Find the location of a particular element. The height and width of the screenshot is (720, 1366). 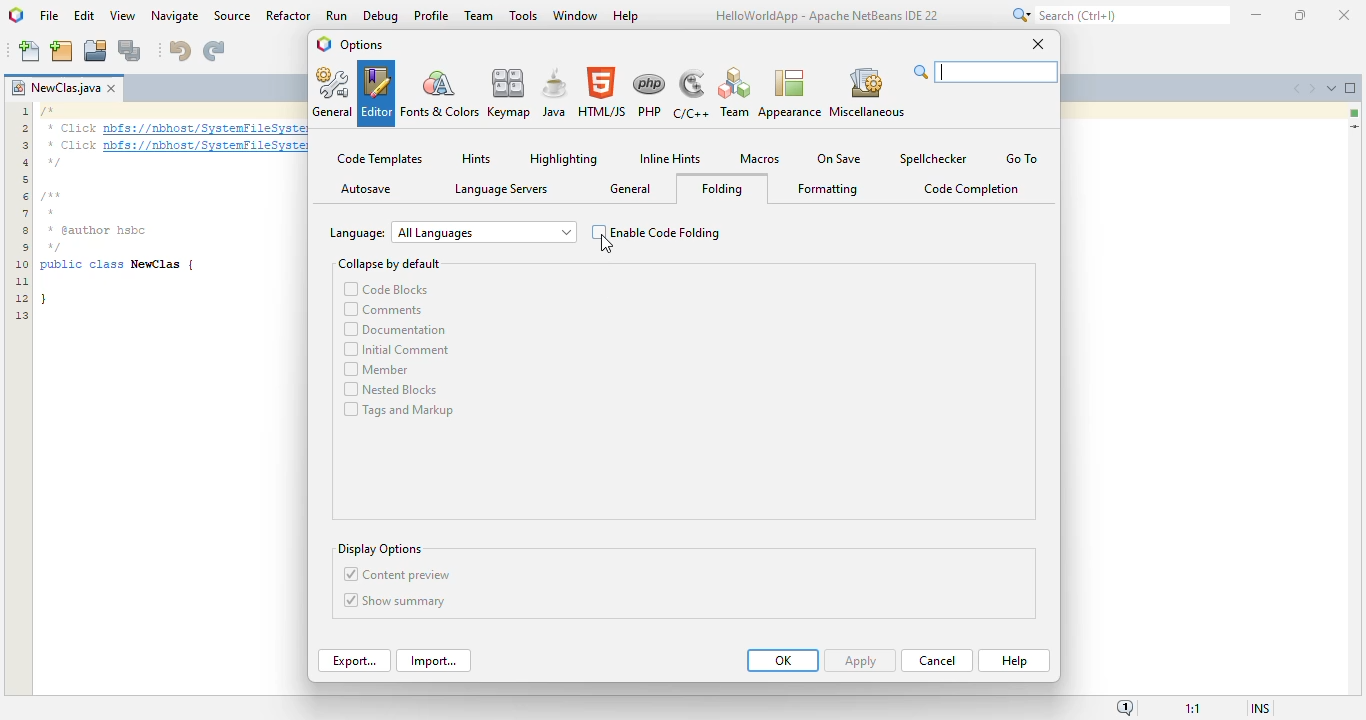

editor is located at coordinates (376, 92).